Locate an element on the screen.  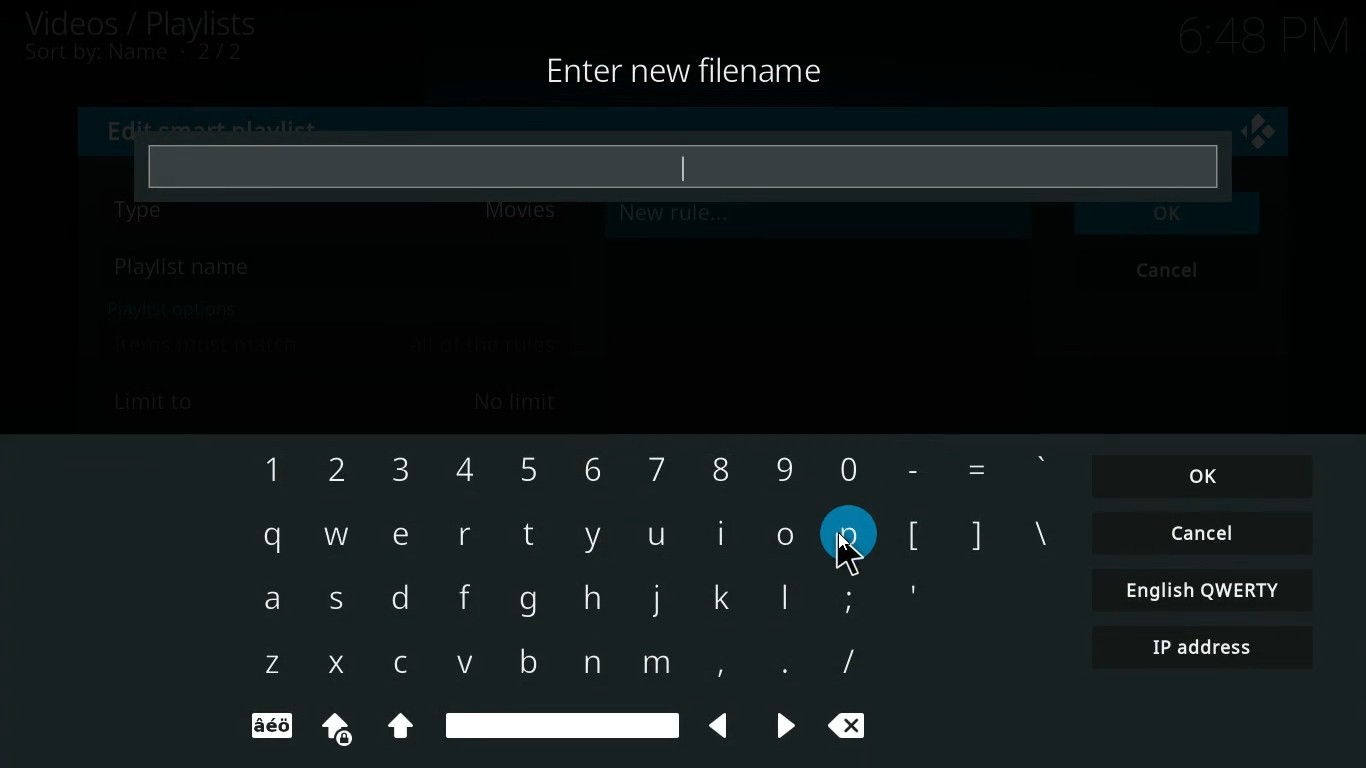
= is located at coordinates (975, 470).